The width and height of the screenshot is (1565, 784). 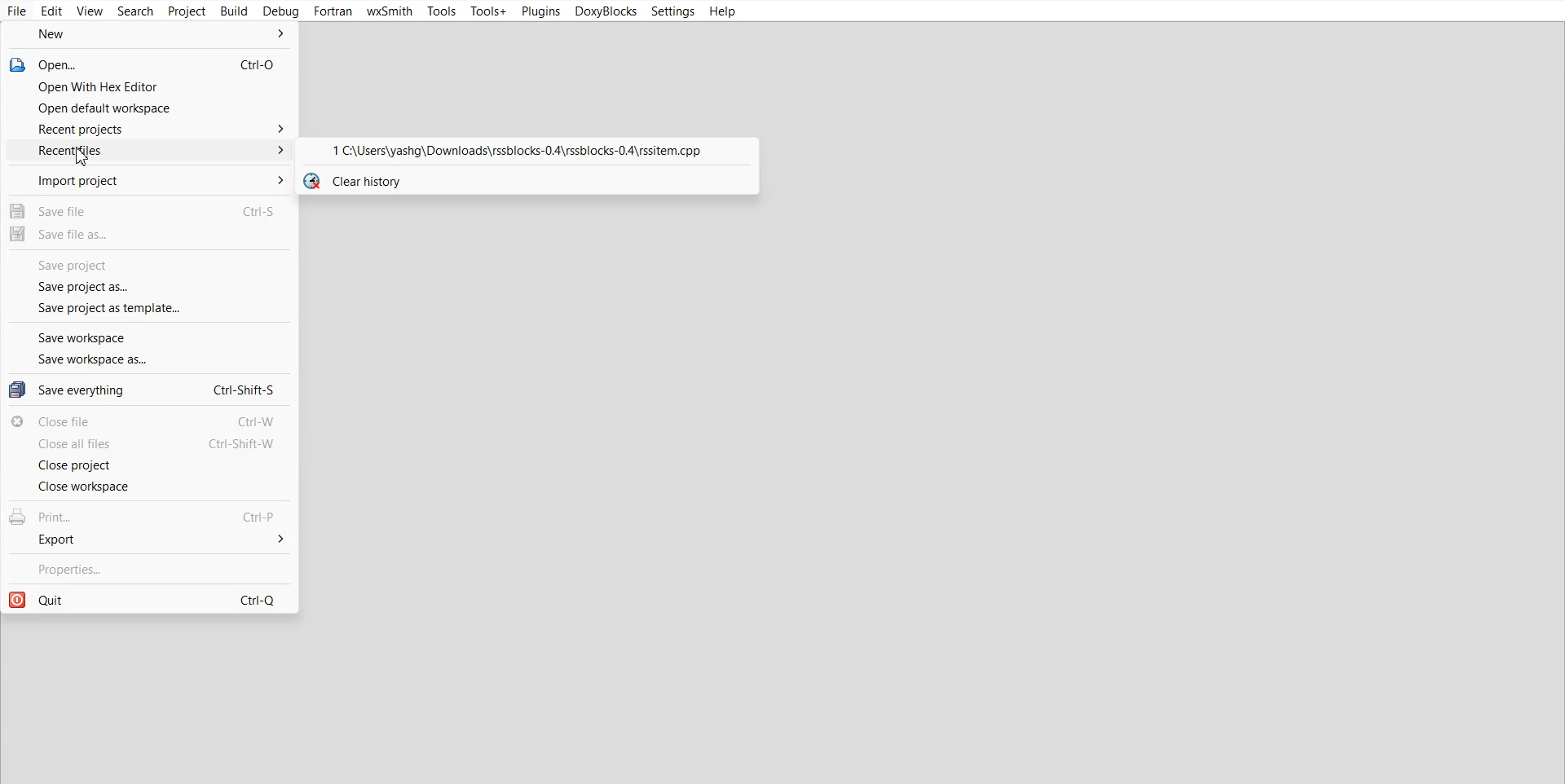 I want to click on File Path address, so click(x=526, y=152).